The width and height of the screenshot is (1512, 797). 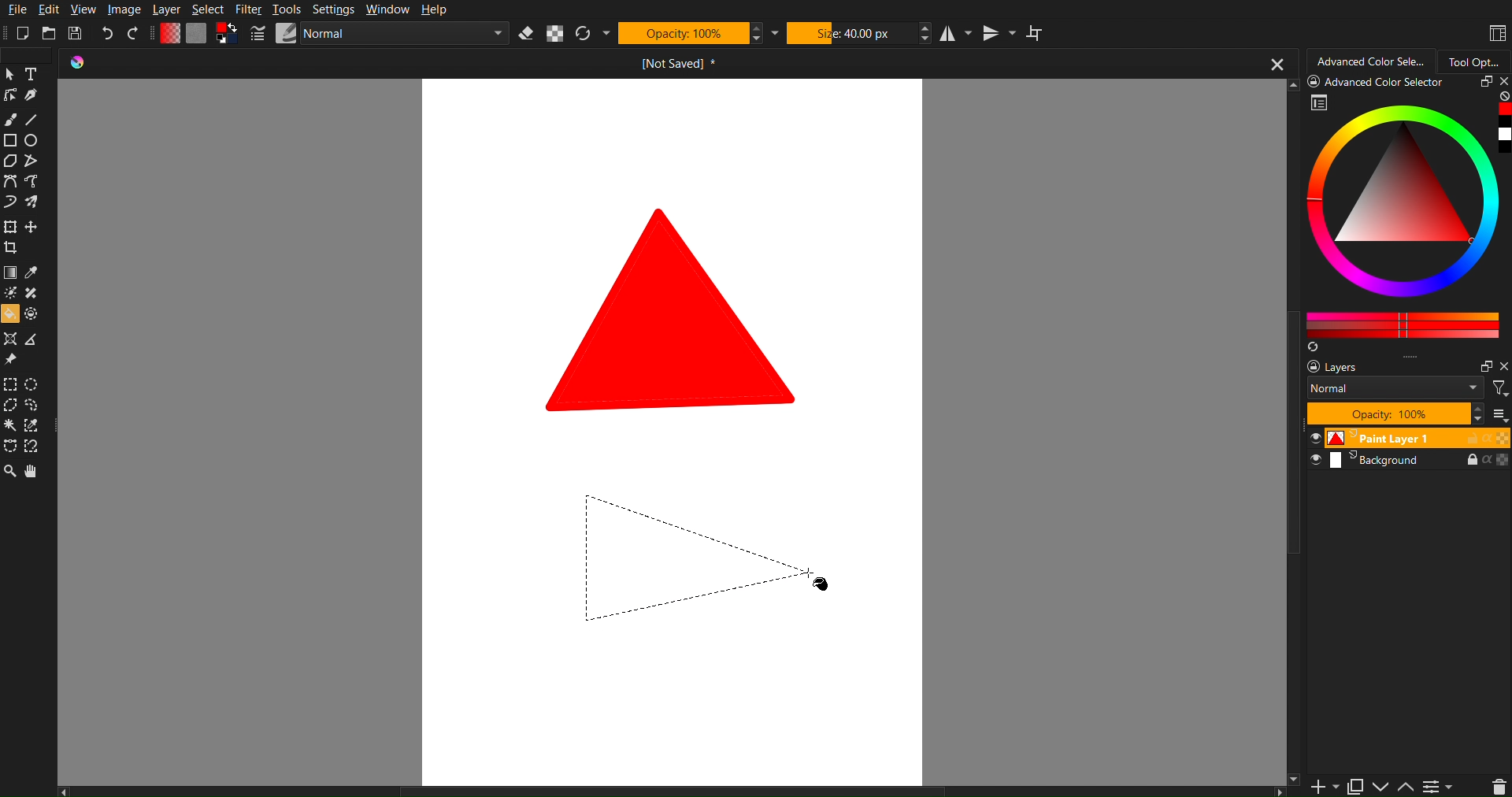 I want to click on Line, so click(x=36, y=120).